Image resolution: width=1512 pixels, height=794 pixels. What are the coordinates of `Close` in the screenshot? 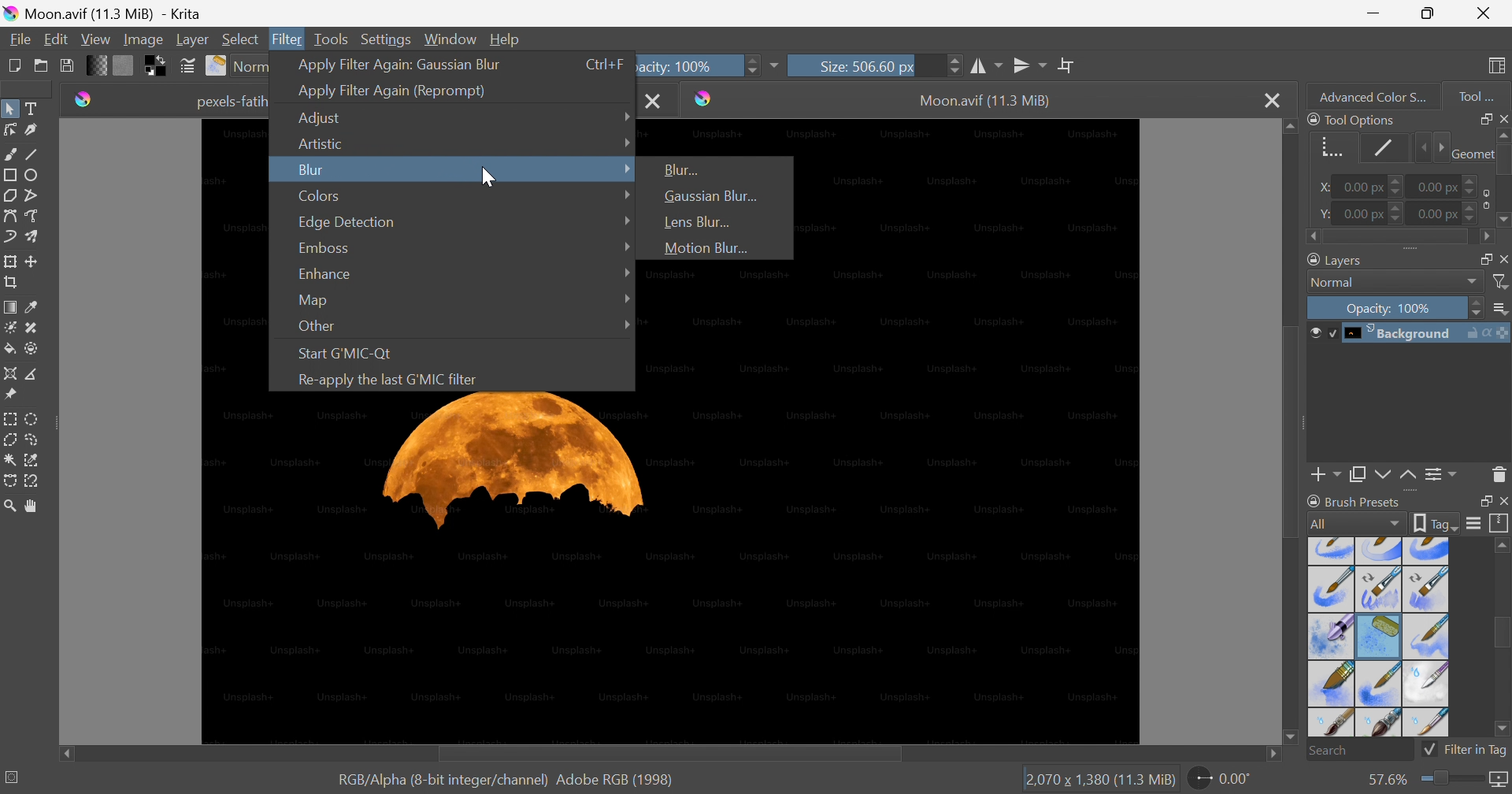 It's located at (1503, 258).